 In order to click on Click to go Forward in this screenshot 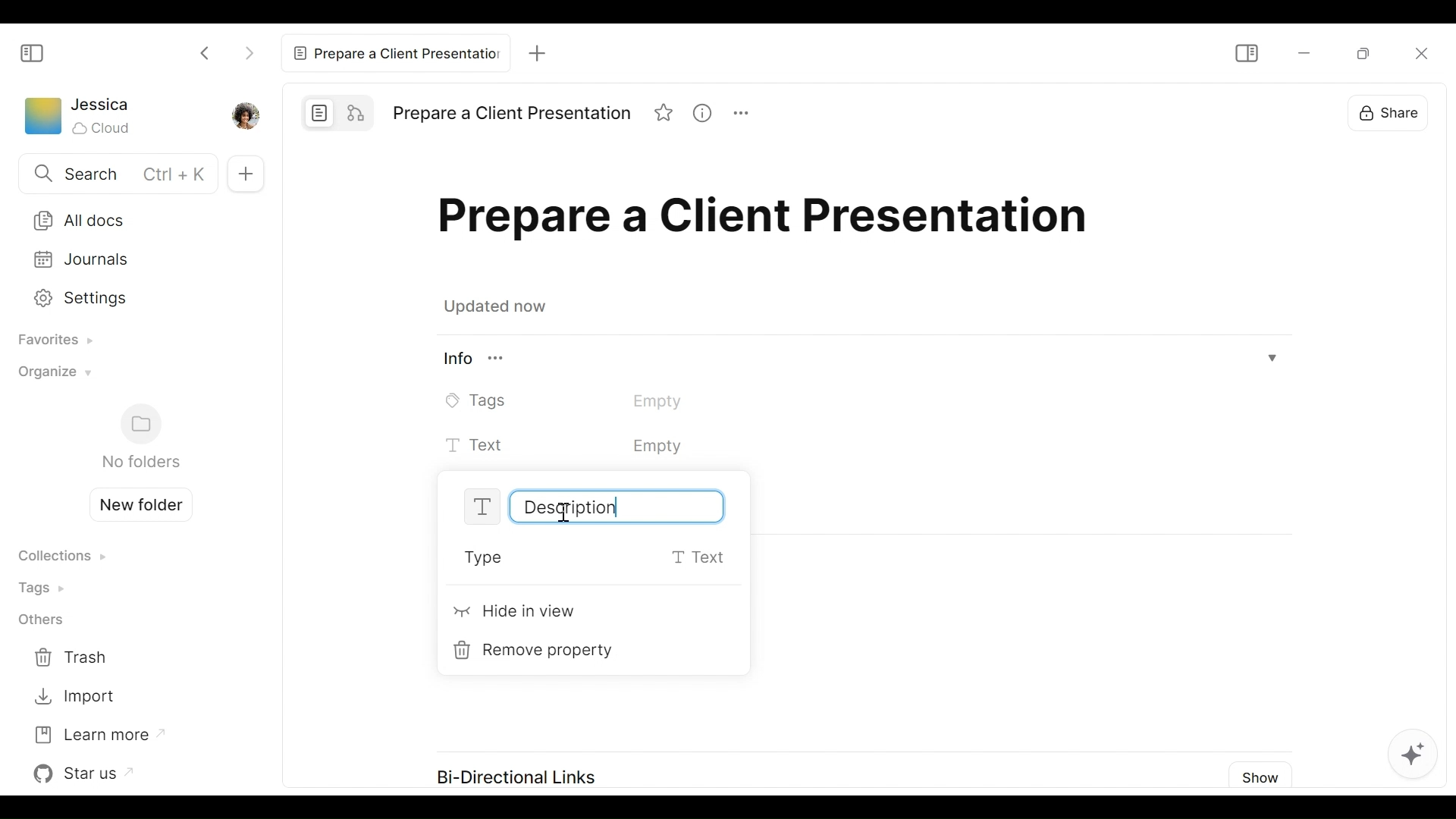, I will do `click(249, 50)`.